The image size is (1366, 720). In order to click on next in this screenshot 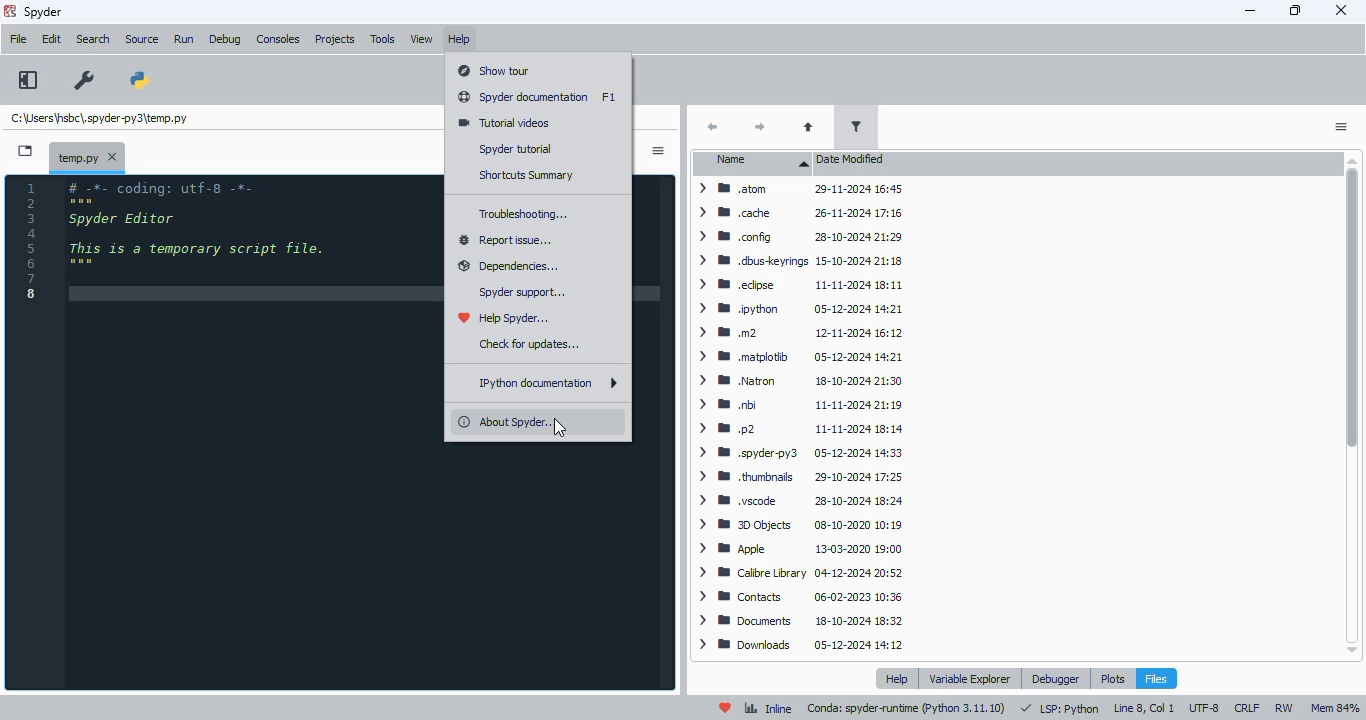, I will do `click(762, 128)`.